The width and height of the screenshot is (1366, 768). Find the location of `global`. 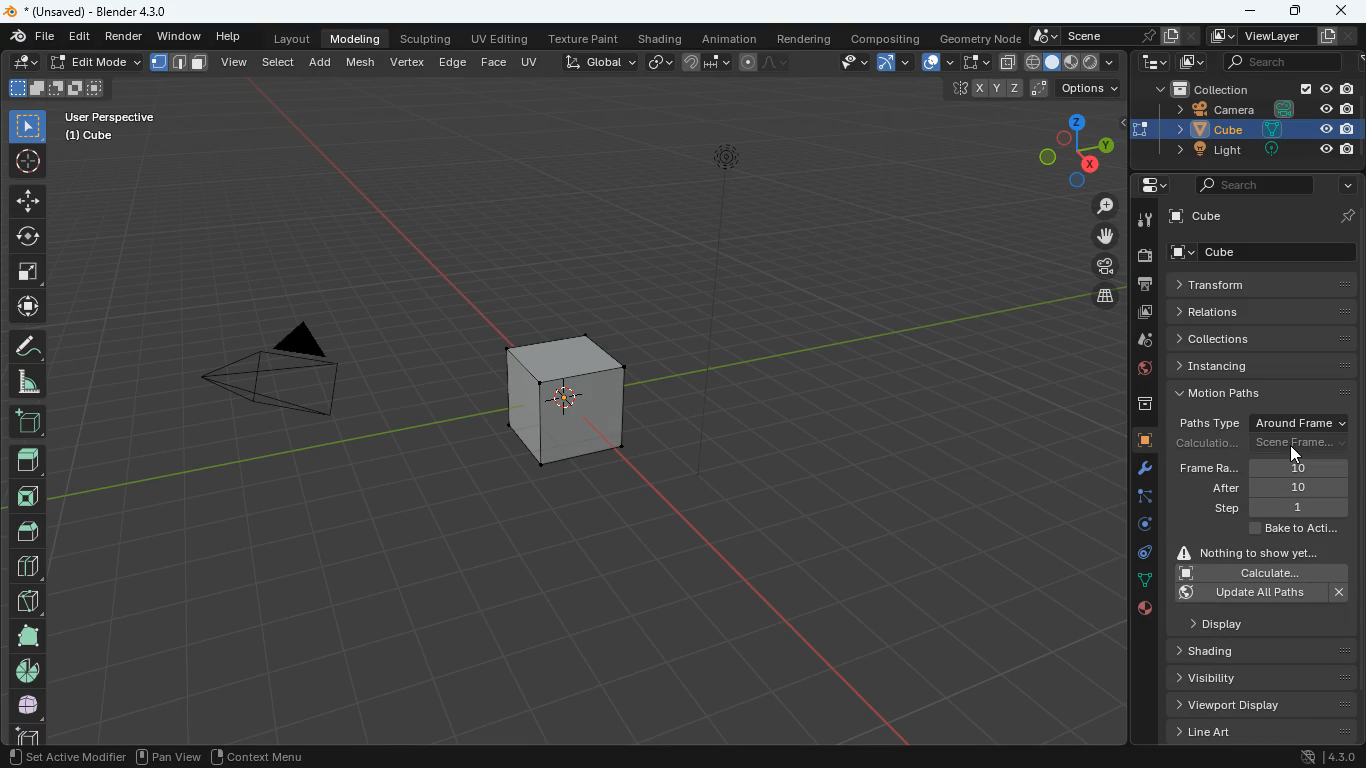

global is located at coordinates (600, 61).